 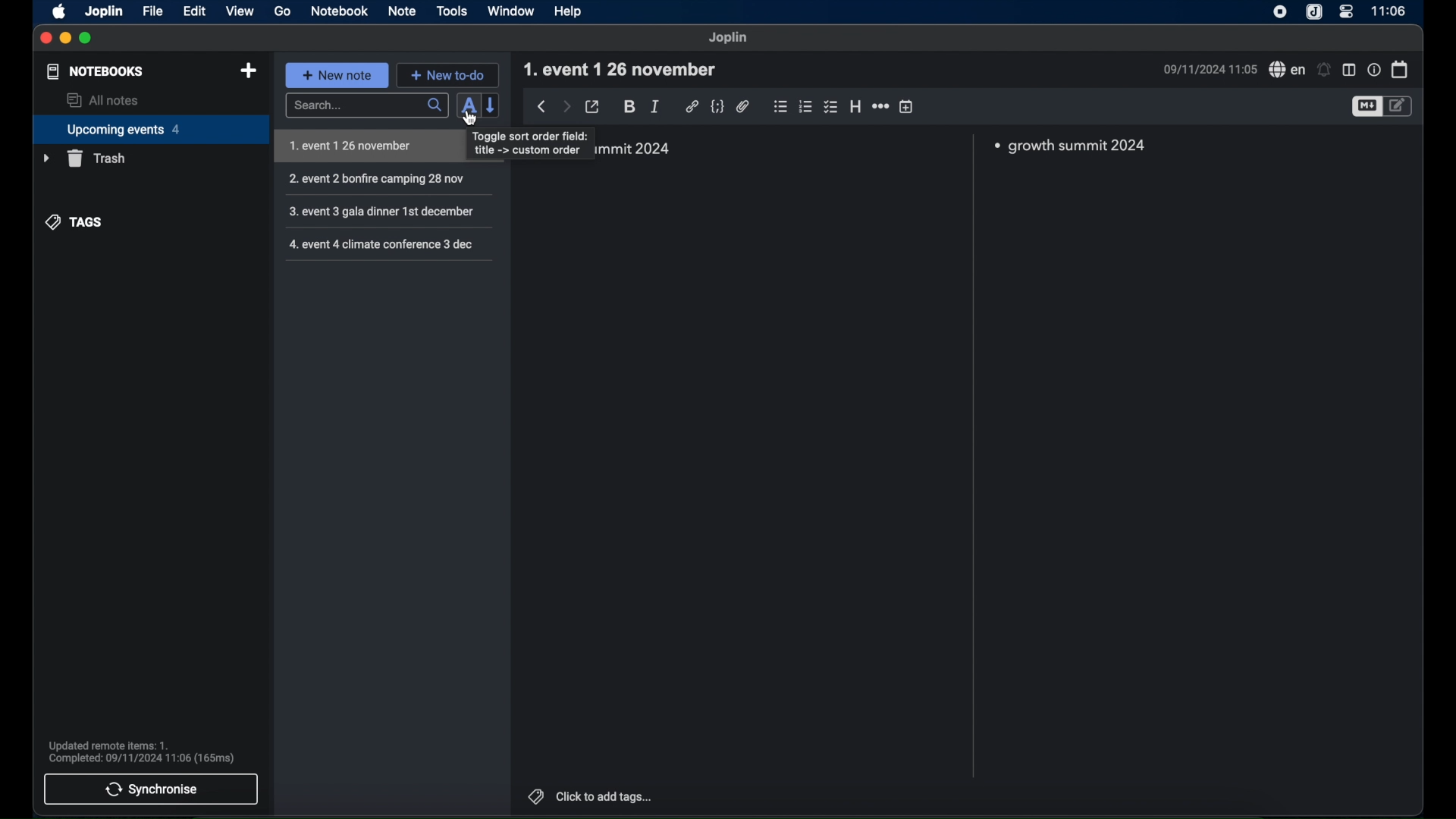 I want to click on maximize , so click(x=86, y=38).